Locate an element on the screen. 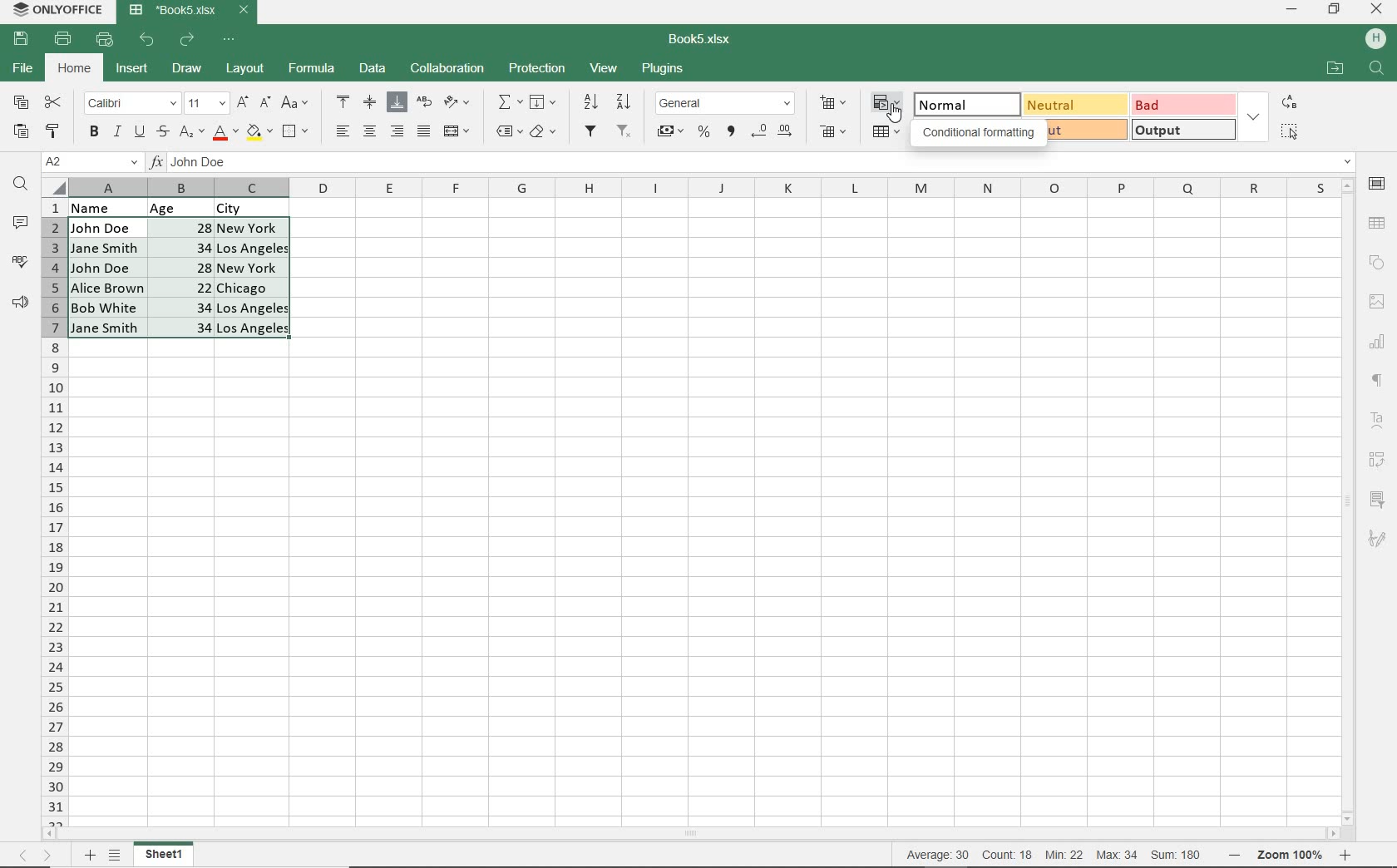 The height and width of the screenshot is (868, 1397). max is located at coordinates (1116, 855).